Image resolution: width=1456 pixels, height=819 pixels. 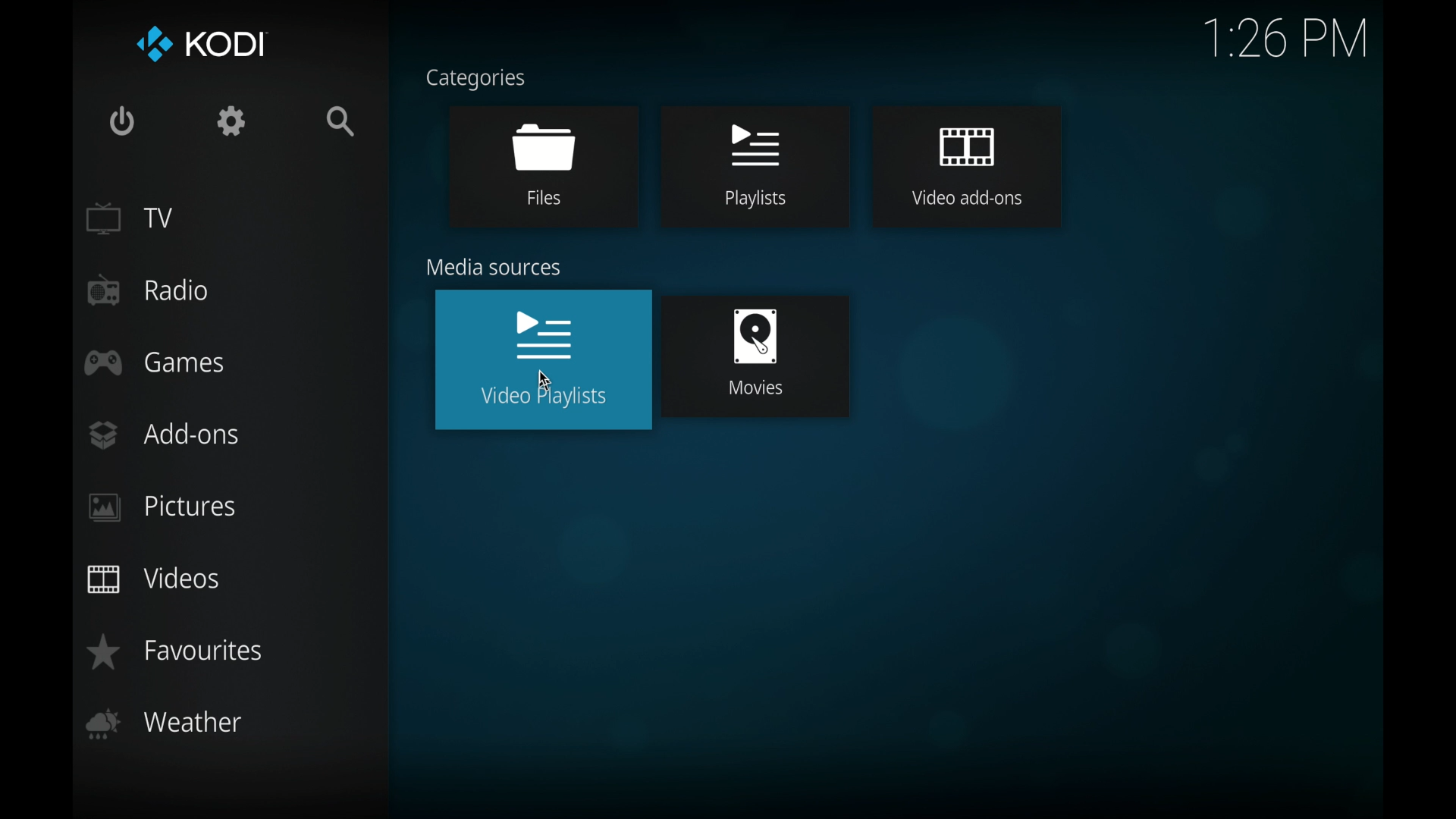 What do you see at coordinates (544, 165) in the screenshot?
I see `files` at bounding box center [544, 165].